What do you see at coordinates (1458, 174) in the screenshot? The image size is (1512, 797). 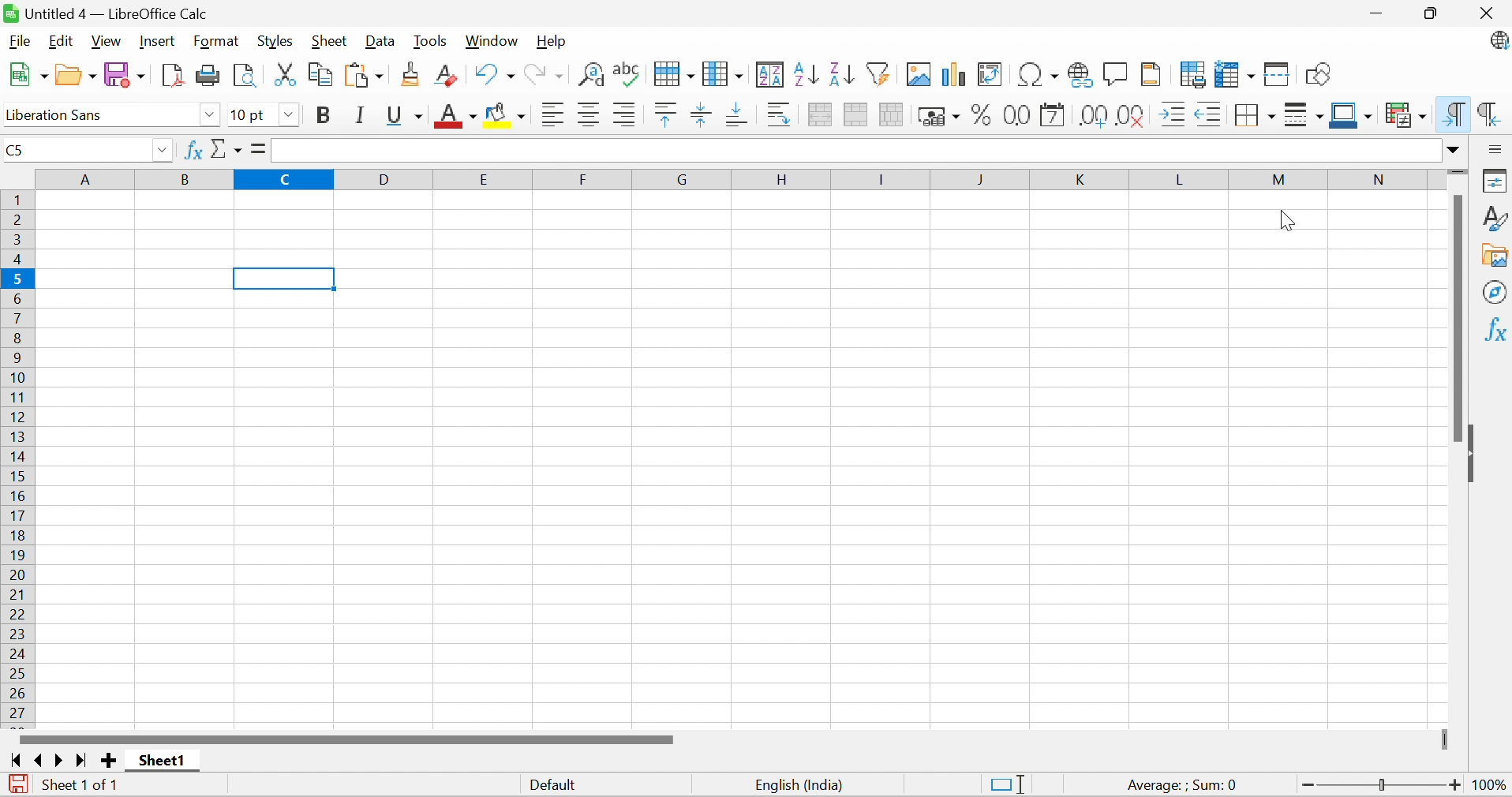 I see `Slider` at bounding box center [1458, 174].